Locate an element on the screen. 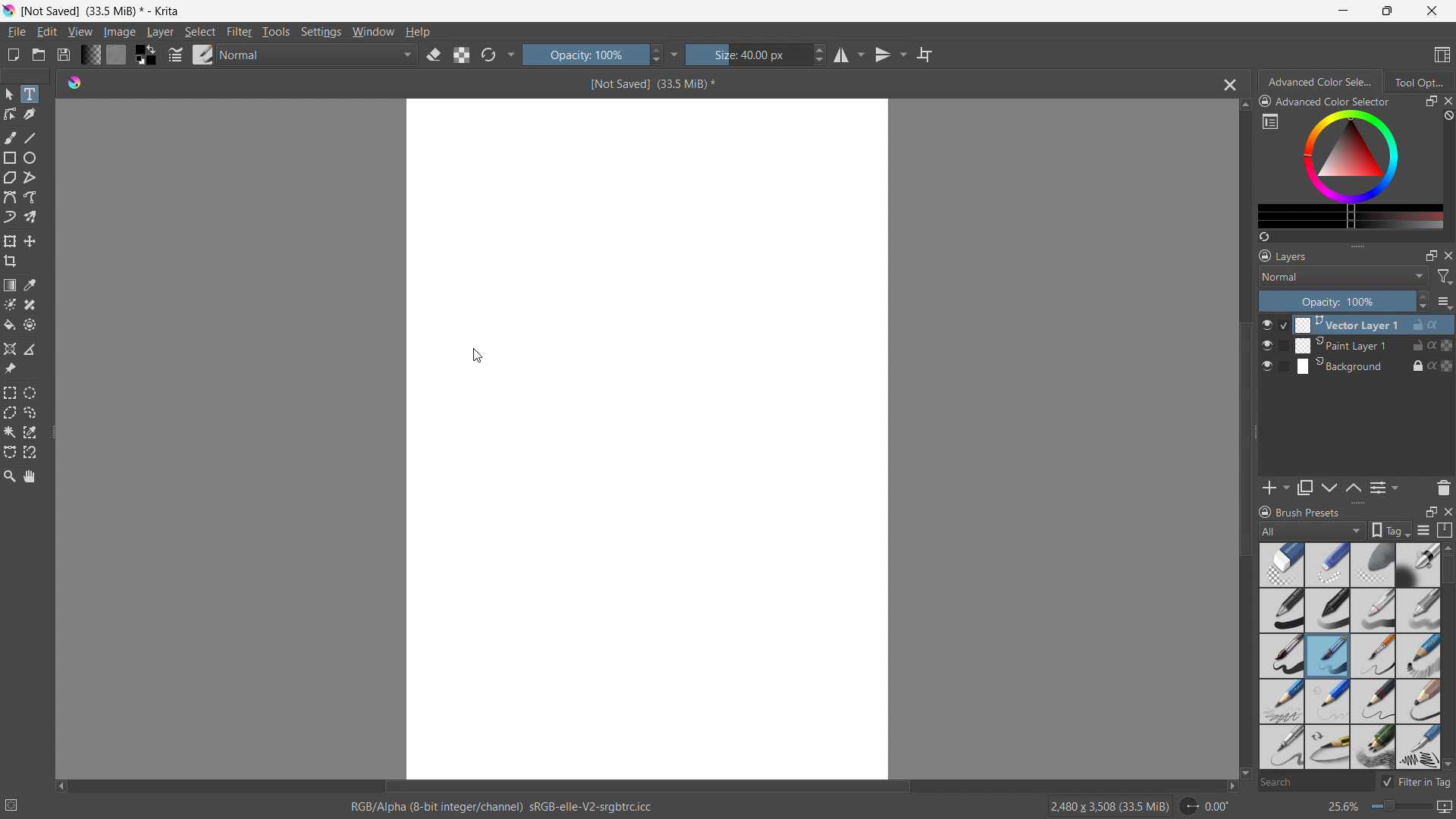  set erasor is located at coordinates (433, 55).